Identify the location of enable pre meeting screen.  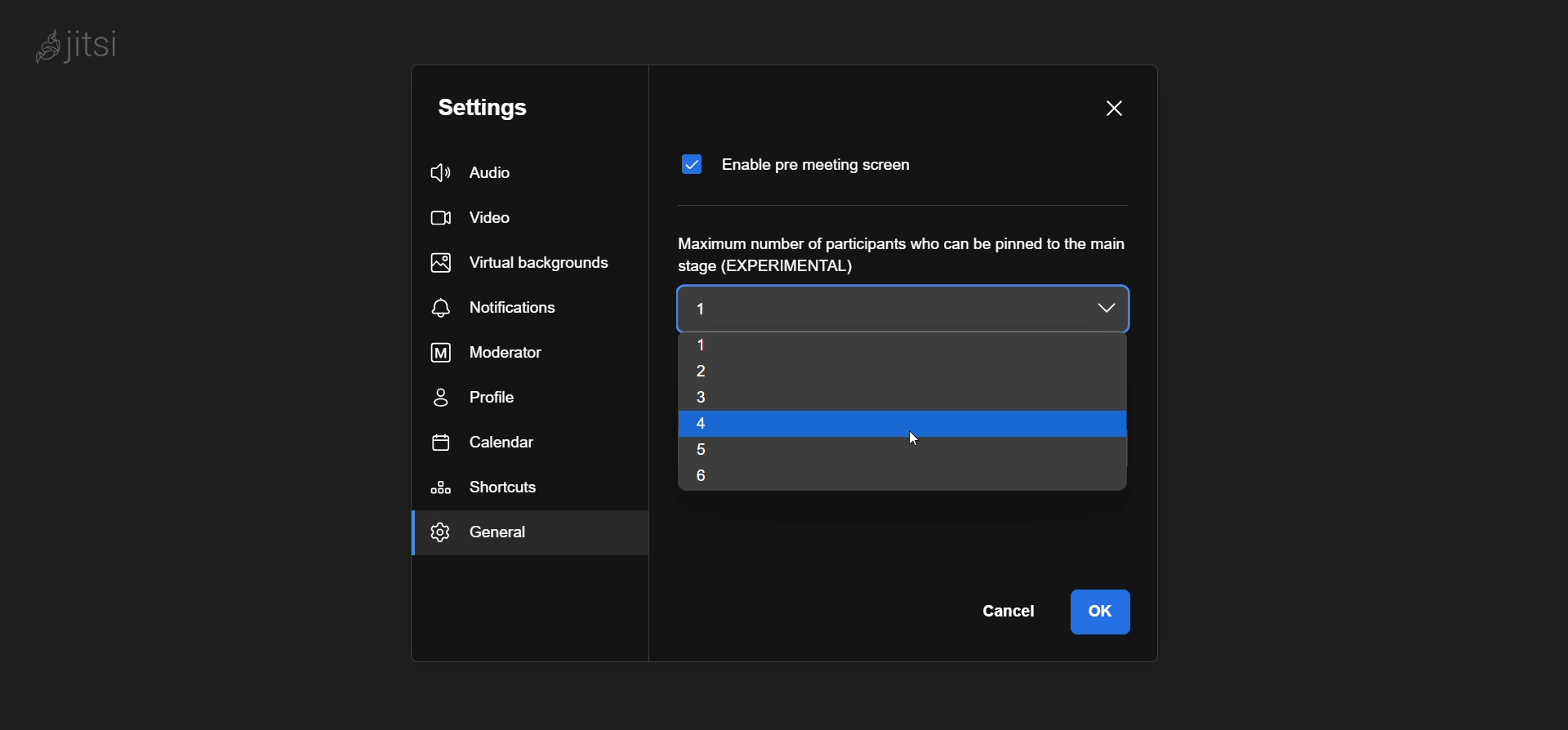
(803, 163).